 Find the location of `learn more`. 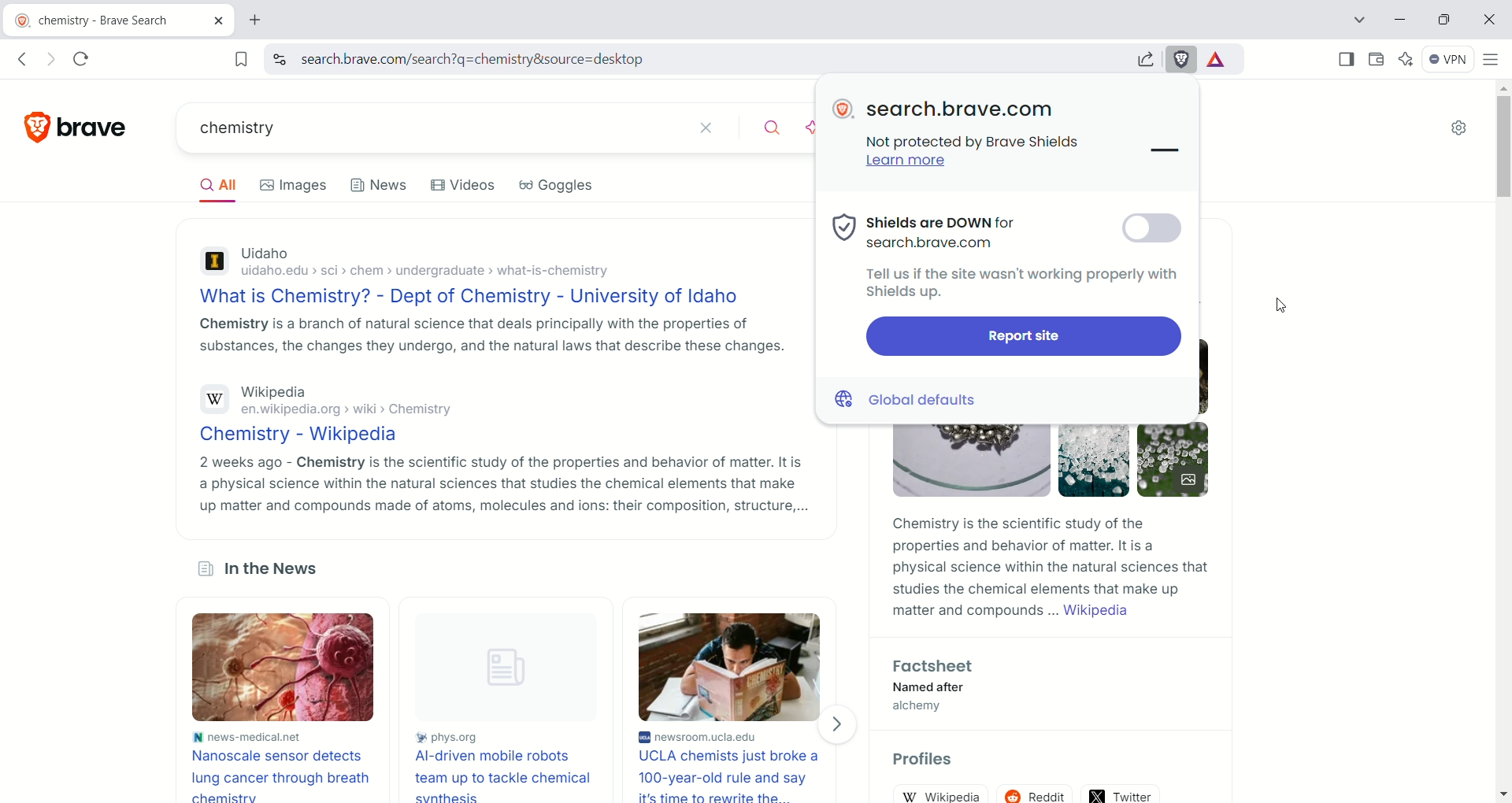

learn more is located at coordinates (909, 165).